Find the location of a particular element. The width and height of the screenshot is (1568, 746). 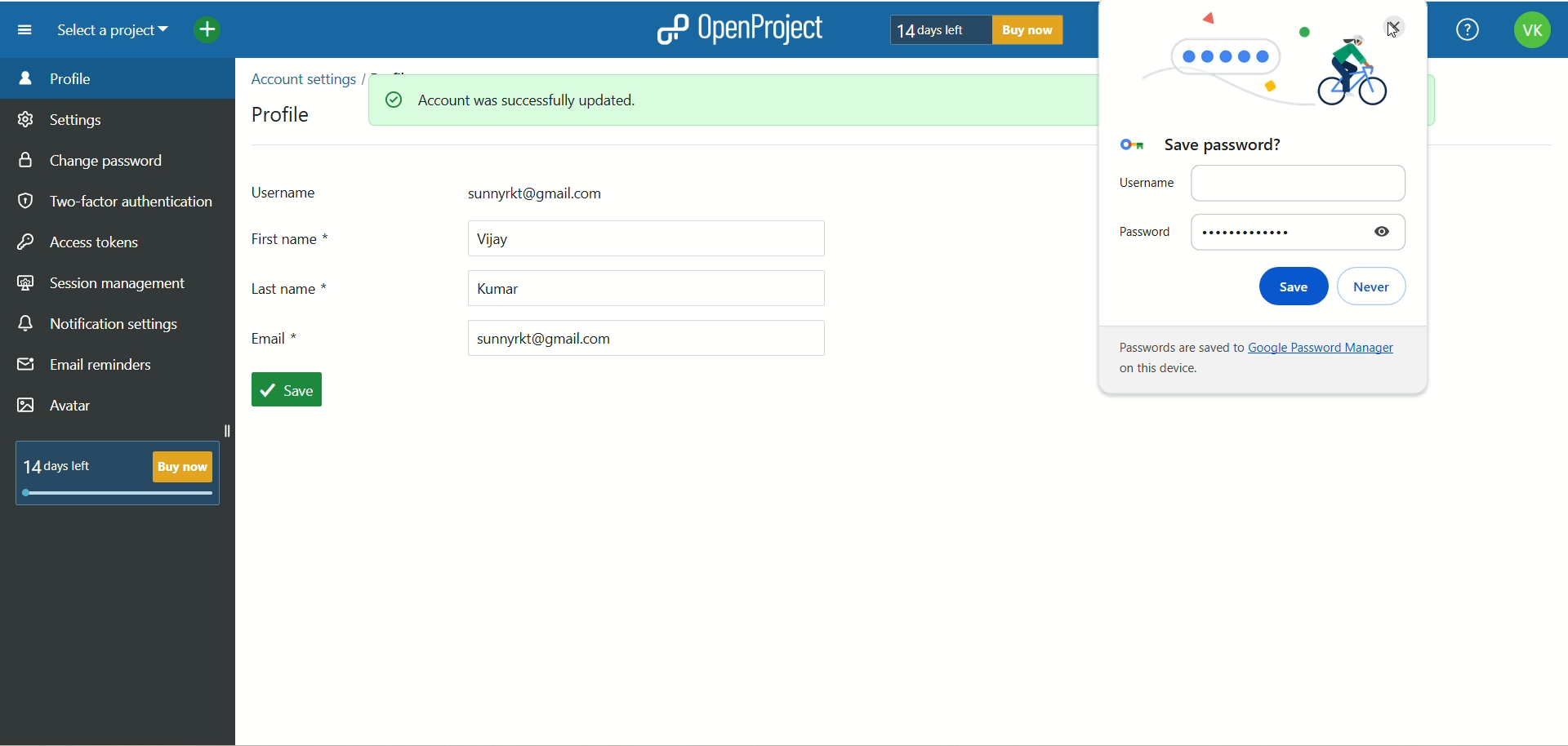

two-factor authentication is located at coordinates (114, 202).